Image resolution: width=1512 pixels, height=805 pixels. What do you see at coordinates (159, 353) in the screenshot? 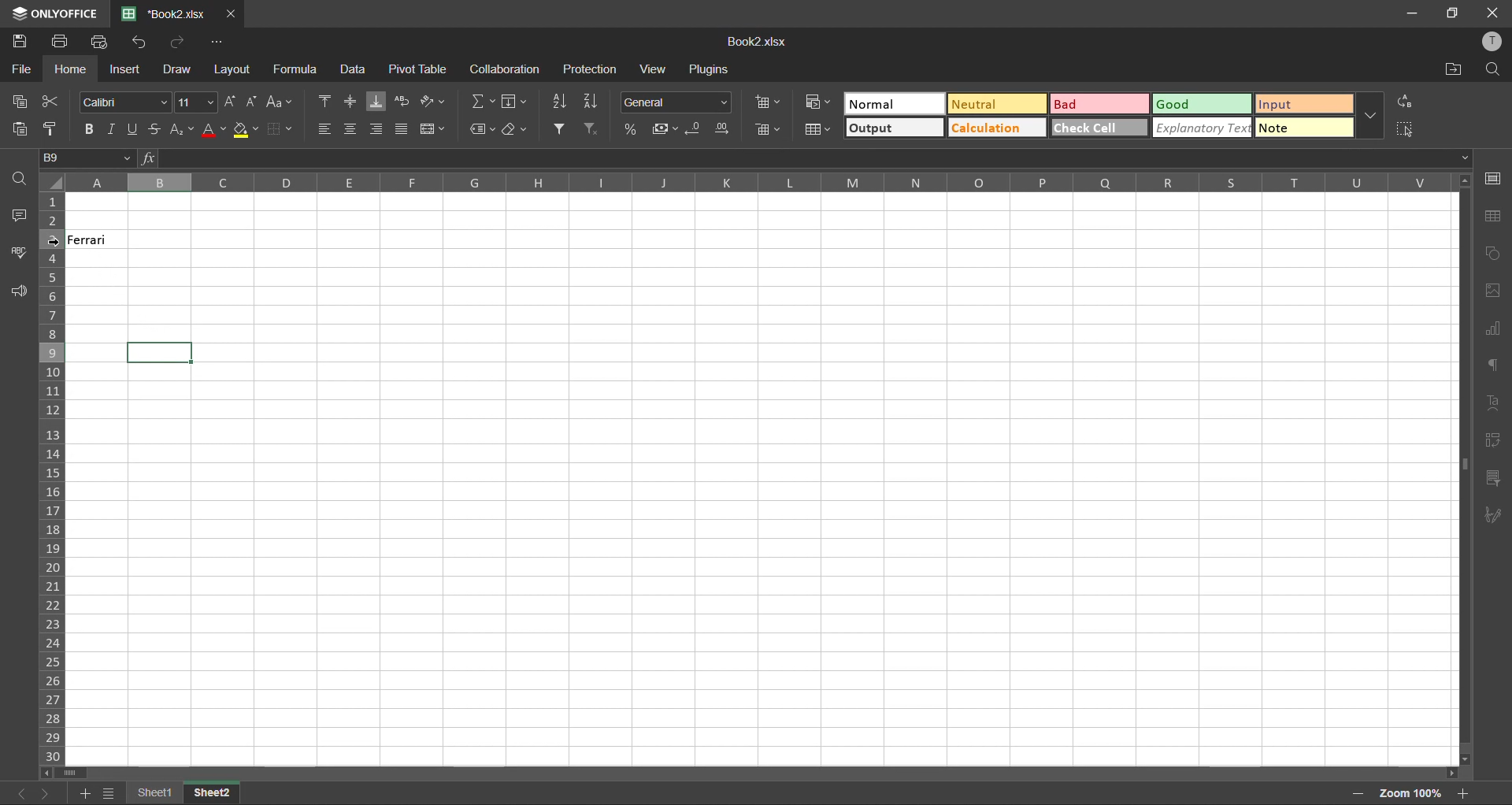
I see `selected cell` at bounding box center [159, 353].